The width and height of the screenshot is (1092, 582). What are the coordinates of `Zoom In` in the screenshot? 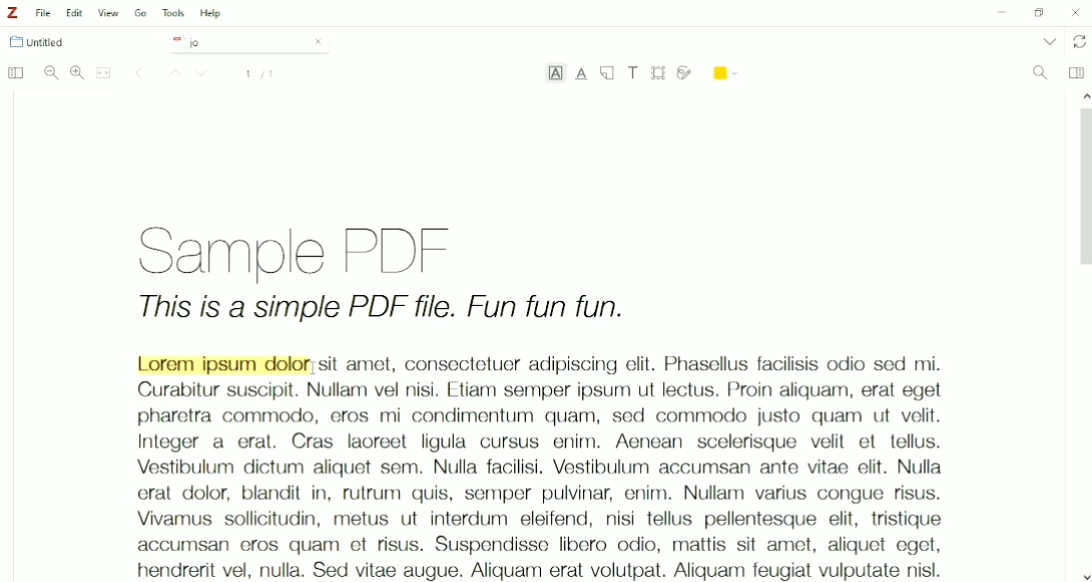 It's located at (77, 72).